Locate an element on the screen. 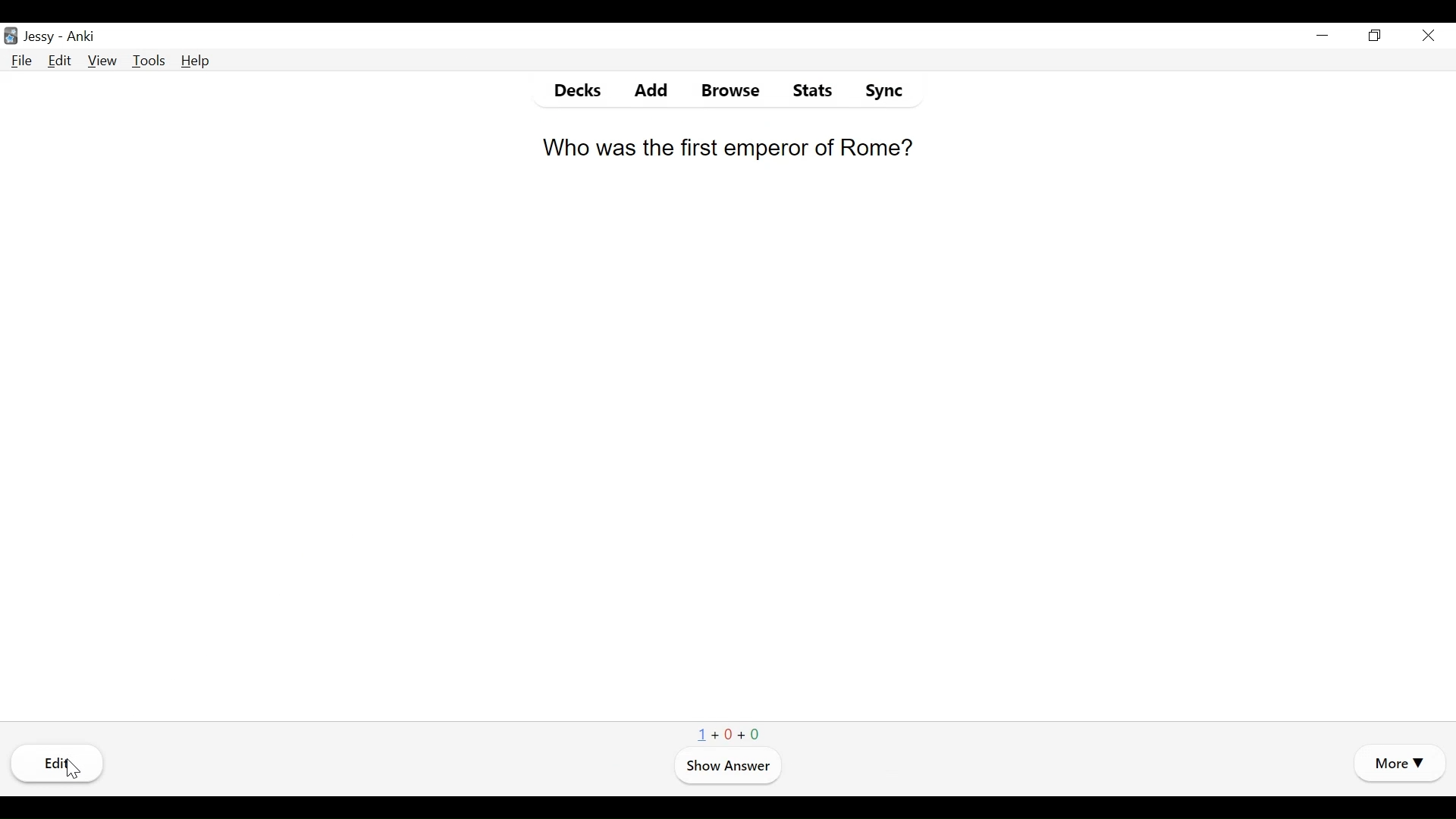  Who was the first emperor of Rome? is located at coordinates (728, 146).